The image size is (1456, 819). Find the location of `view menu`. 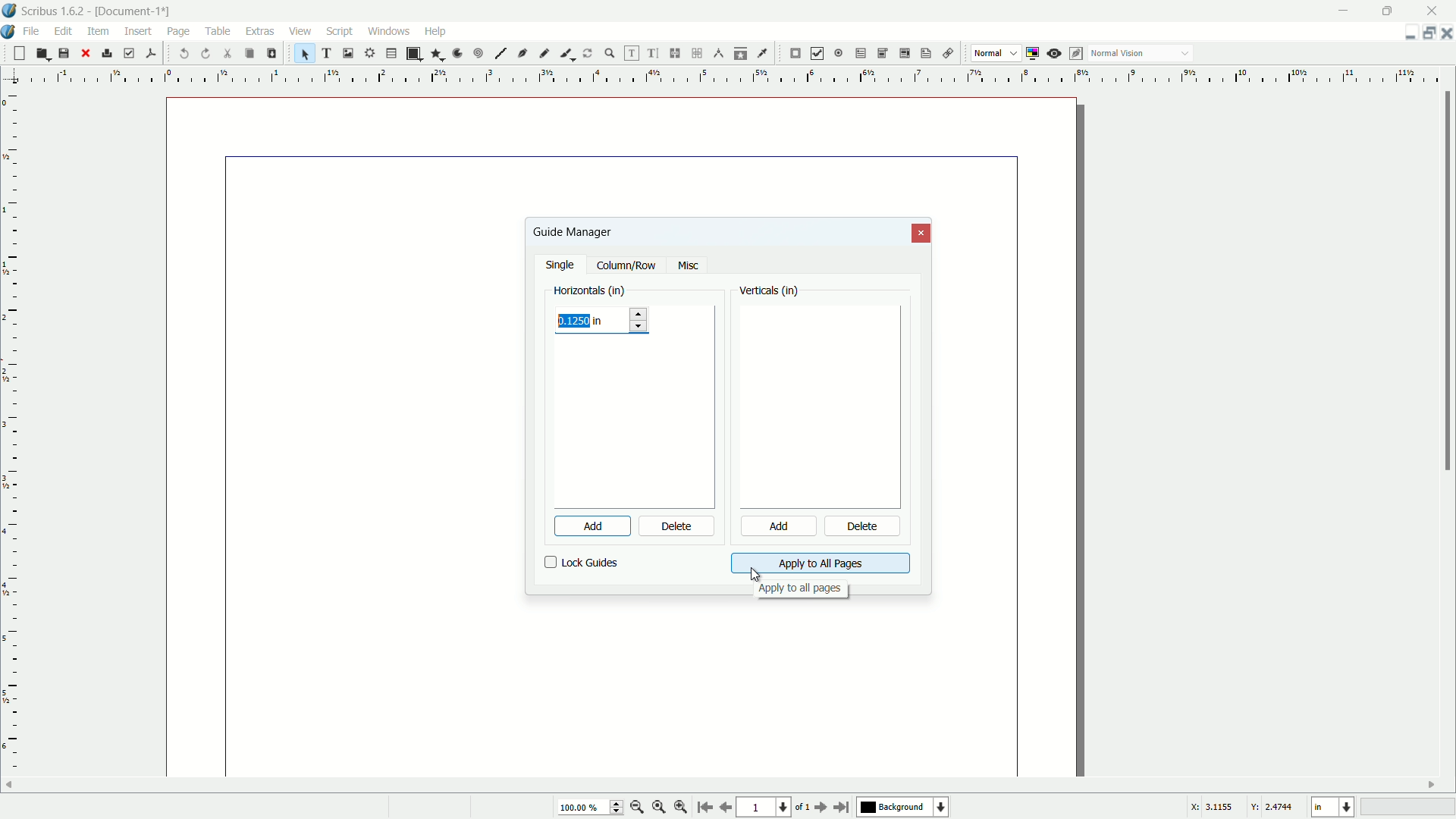

view menu is located at coordinates (298, 31).